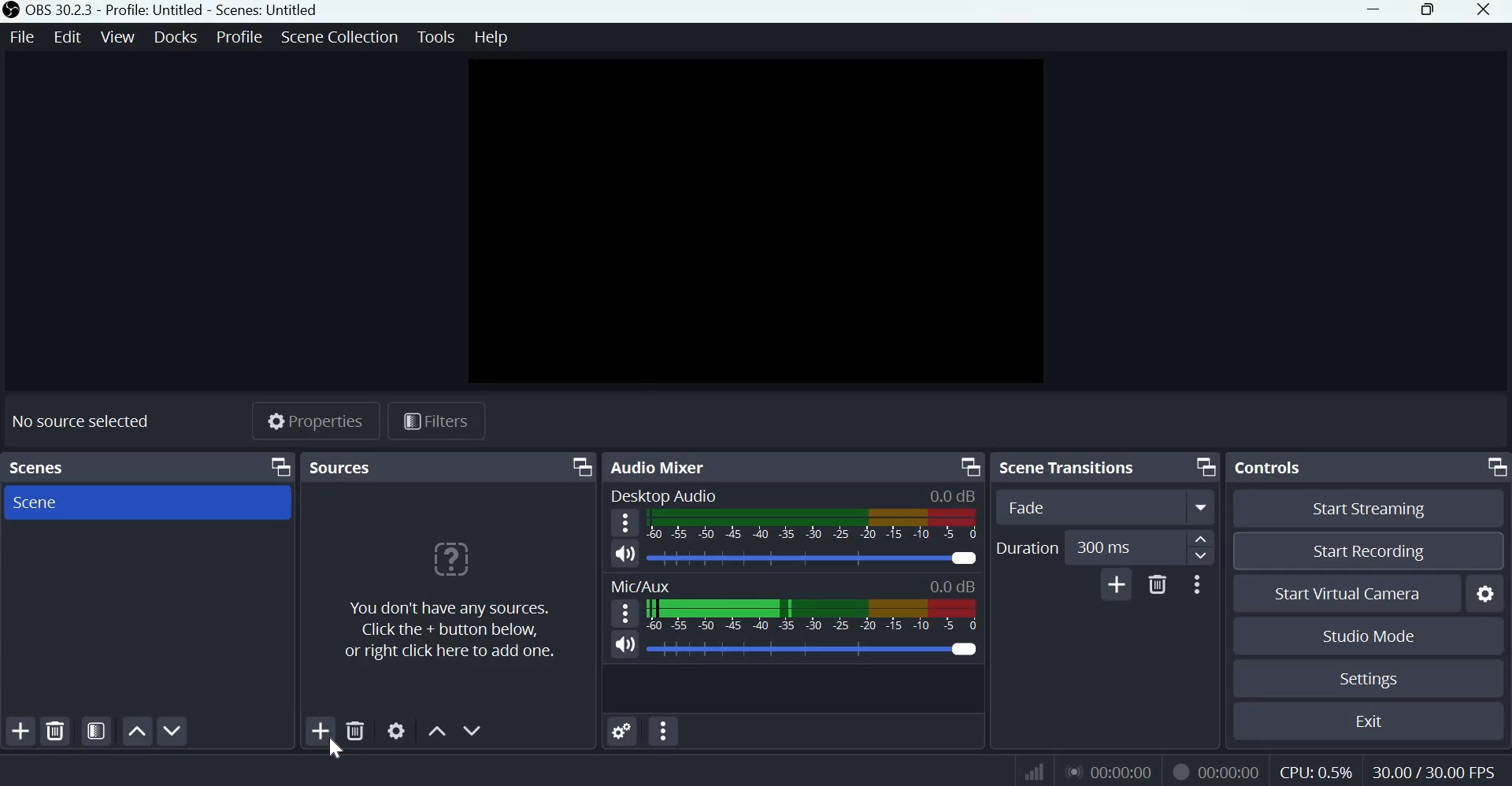 The width and height of the screenshot is (1512, 786). I want to click on Add scene, so click(22, 730).